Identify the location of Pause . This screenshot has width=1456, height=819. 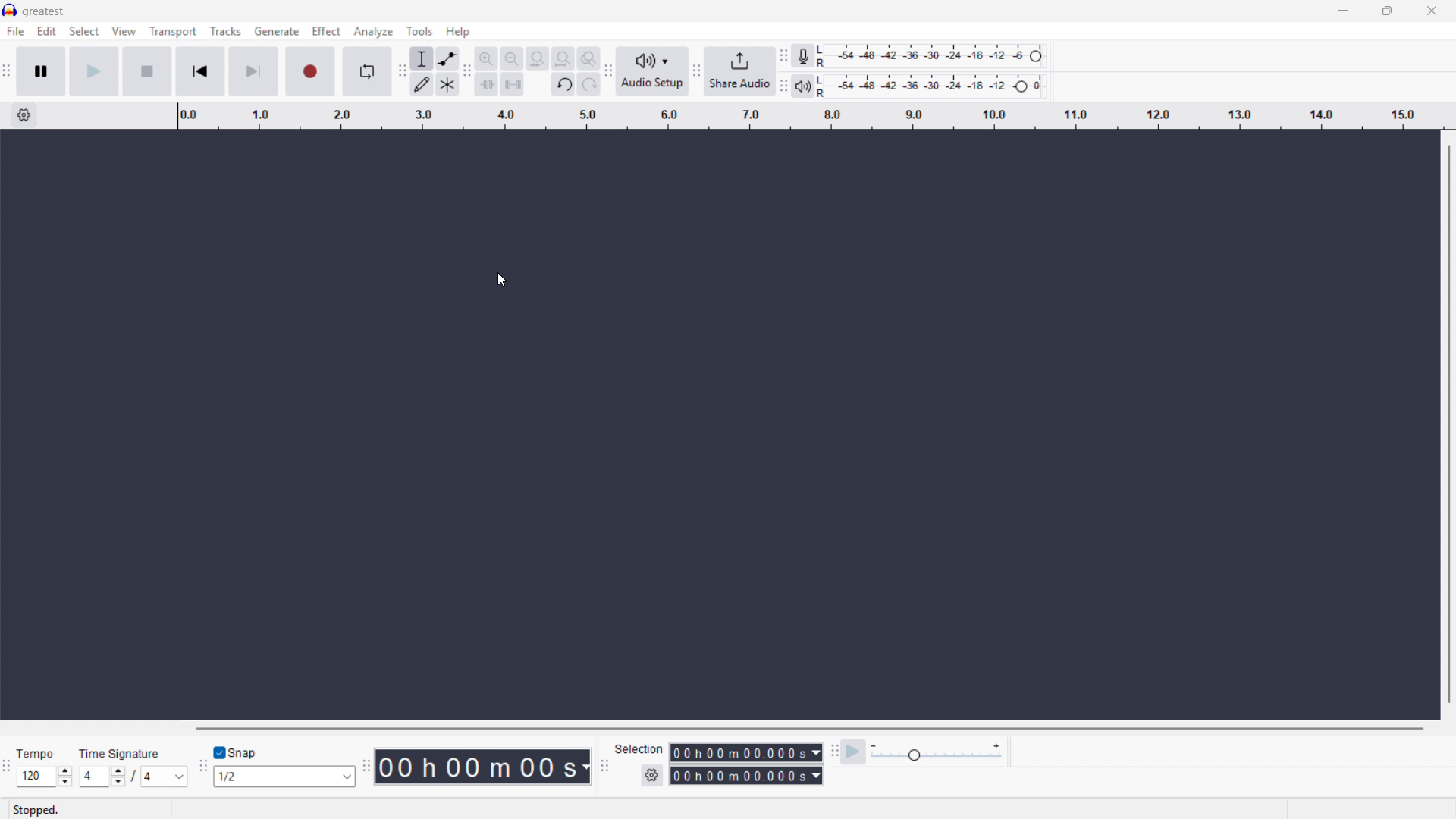
(42, 71).